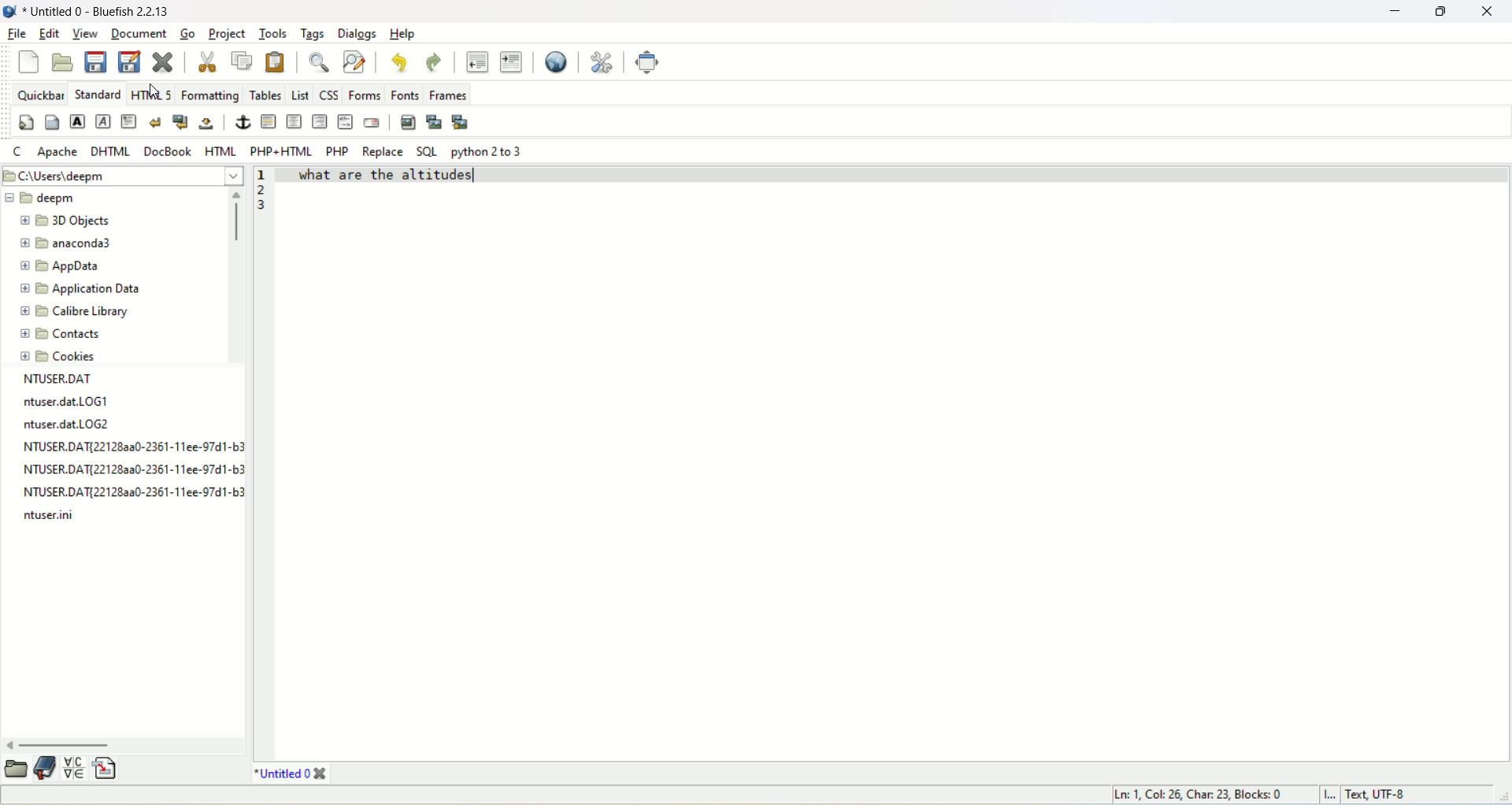  What do you see at coordinates (207, 124) in the screenshot?
I see `non-breaking space` at bounding box center [207, 124].